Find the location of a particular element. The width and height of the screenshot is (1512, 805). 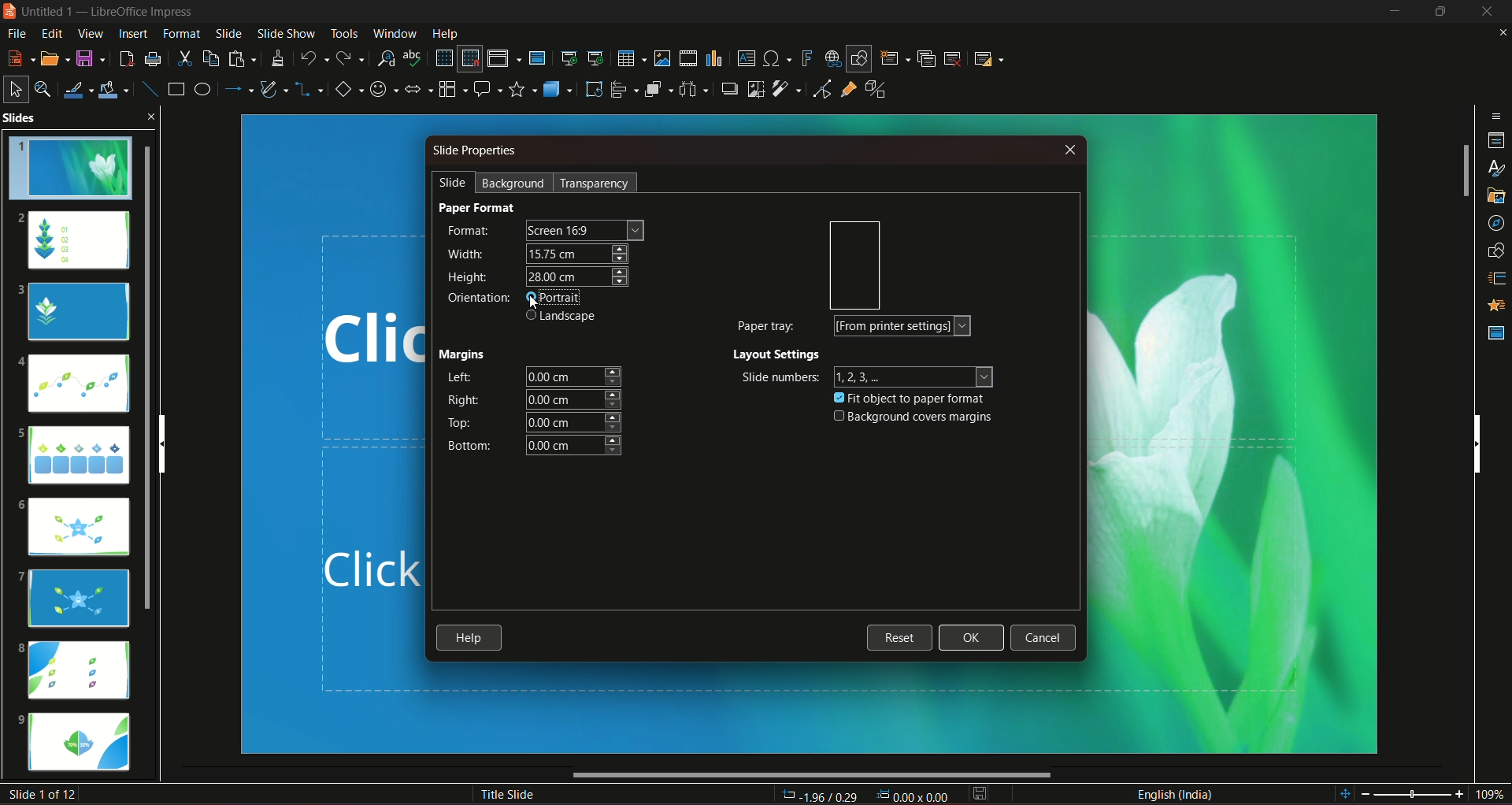

stars and banners is located at coordinates (523, 88).